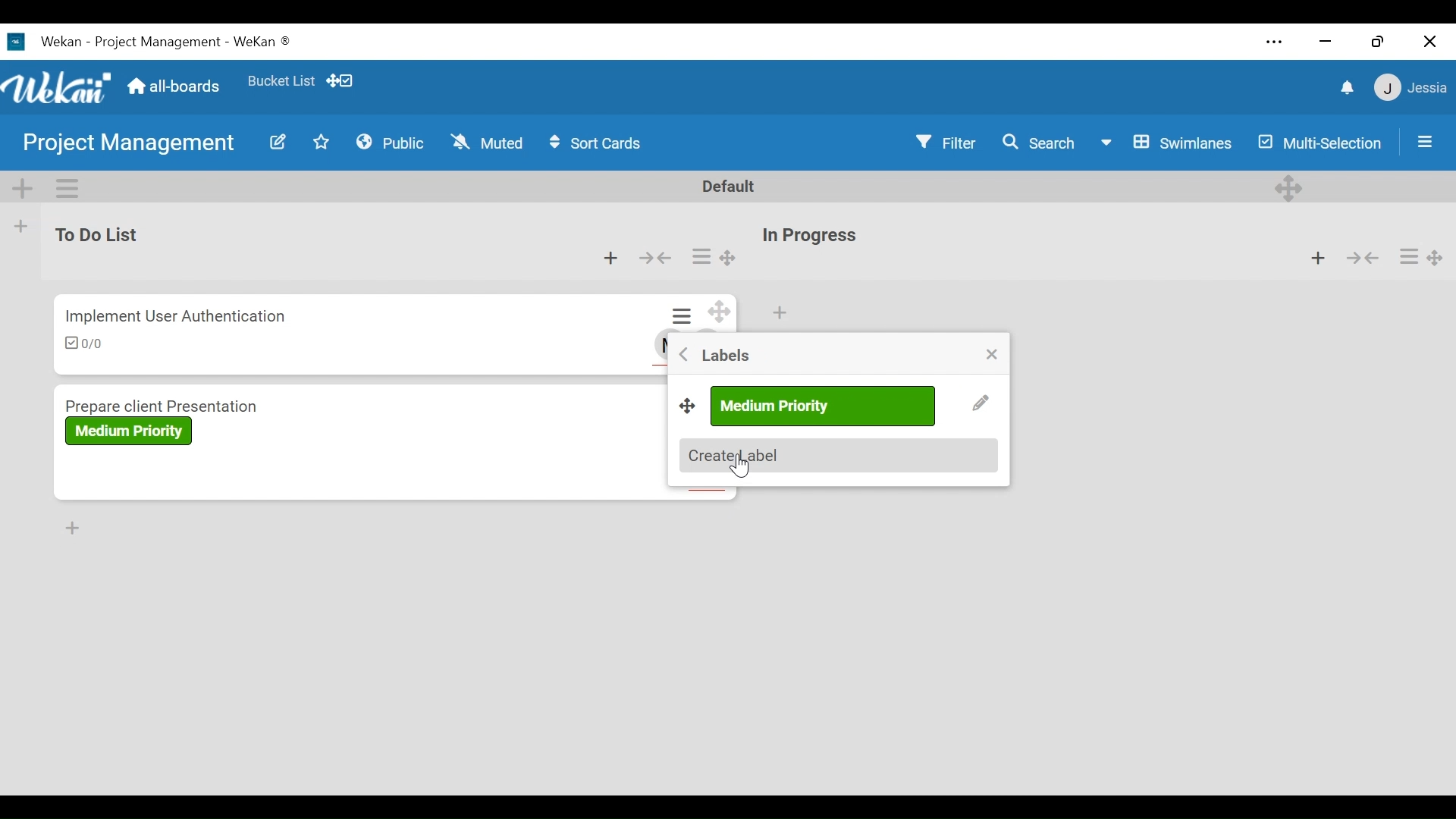 The width and height of the screenshot is (1456, 819). What do you see at coordinates (722, 312) in the screenshot?
I see `Desktop drag handles` at bounding box center [722, 312].